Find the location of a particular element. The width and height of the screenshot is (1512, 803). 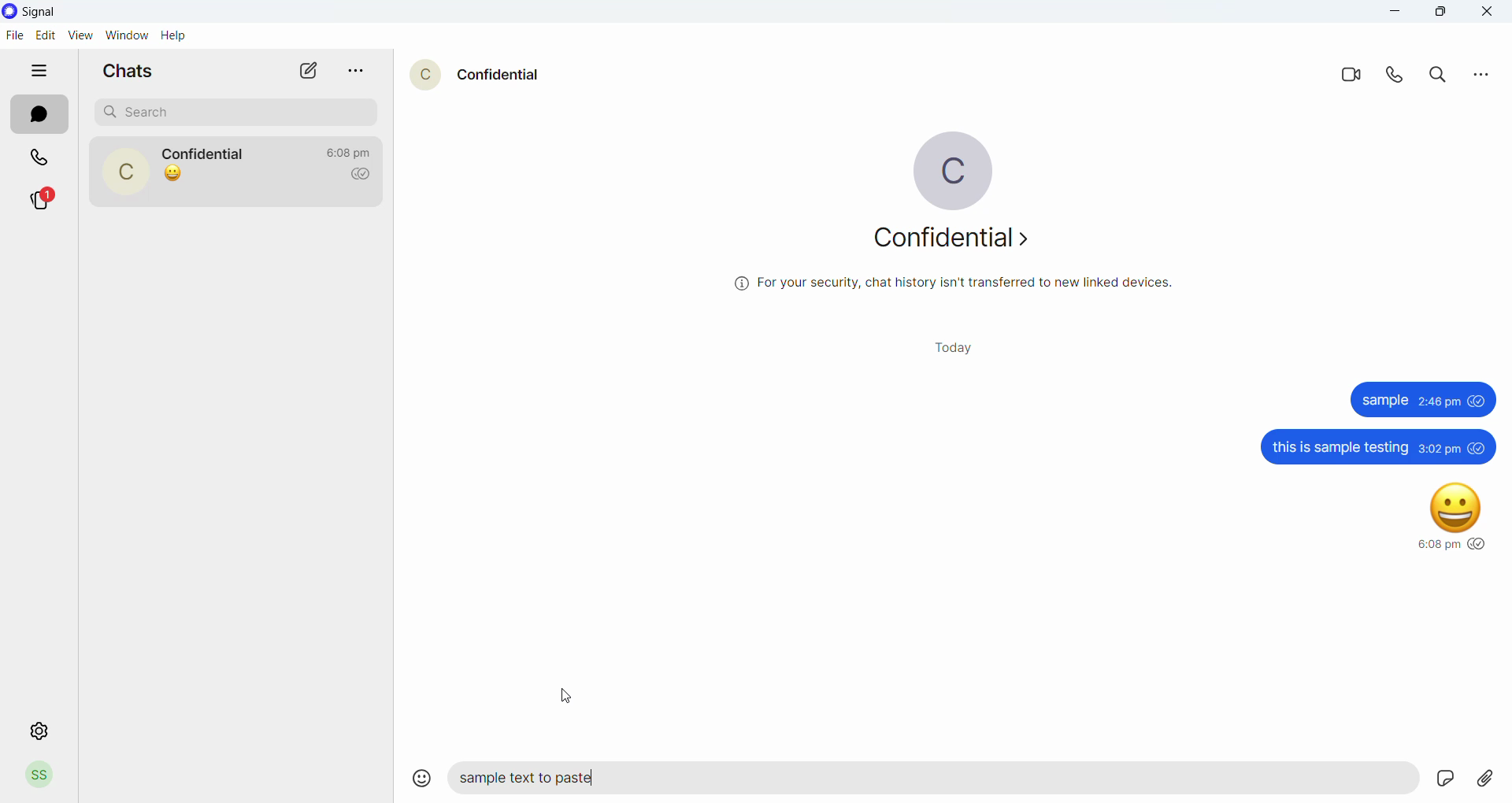

voice call is located at coordinates (1401, 80).